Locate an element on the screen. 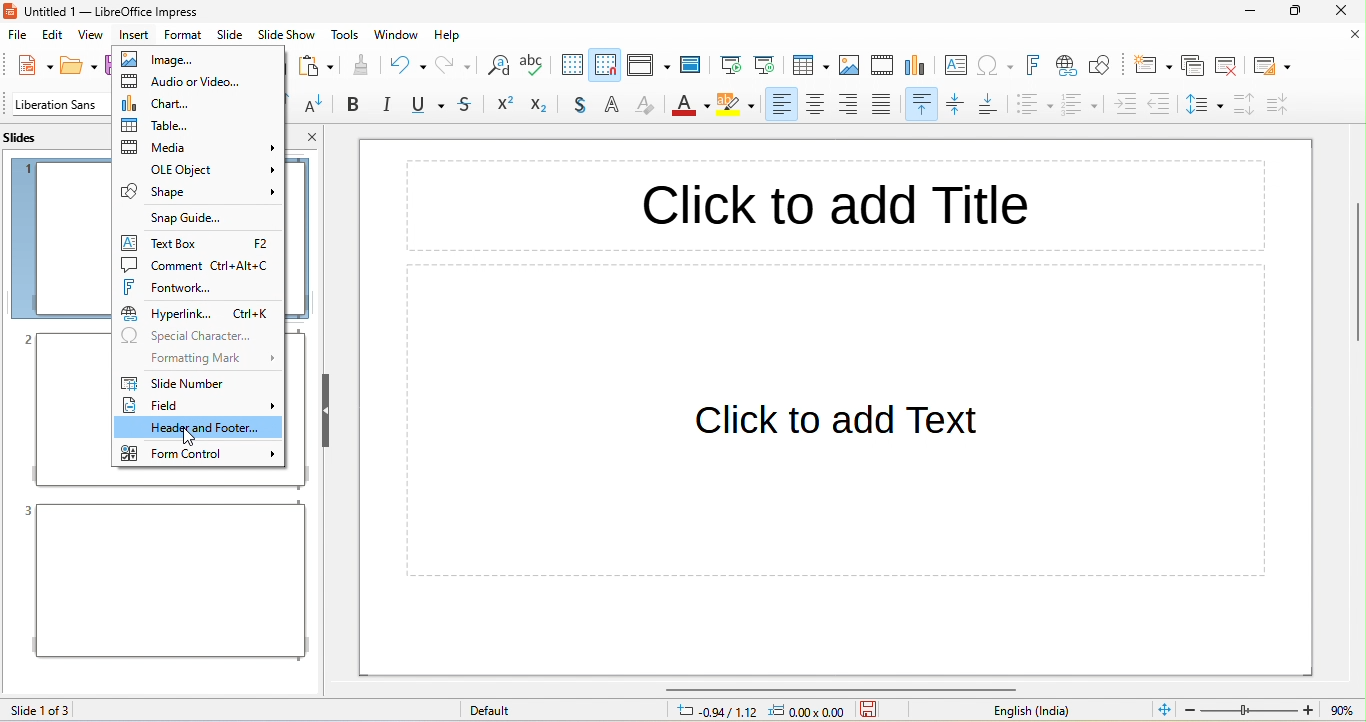 This screenshot has width=1366, height=722. underline is located at coordinates (425, 106).